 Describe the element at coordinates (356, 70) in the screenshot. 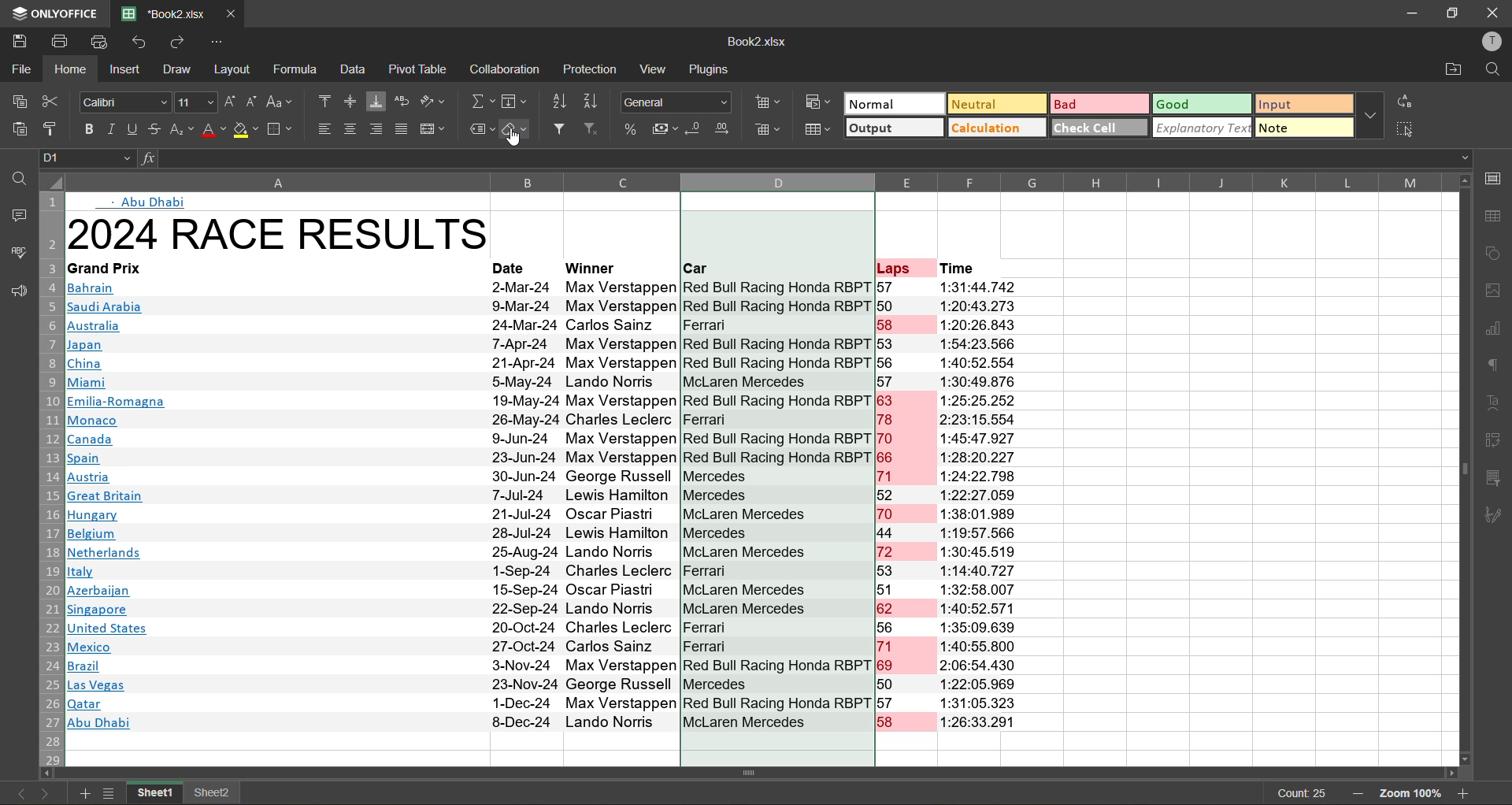

I see `data` at that location.